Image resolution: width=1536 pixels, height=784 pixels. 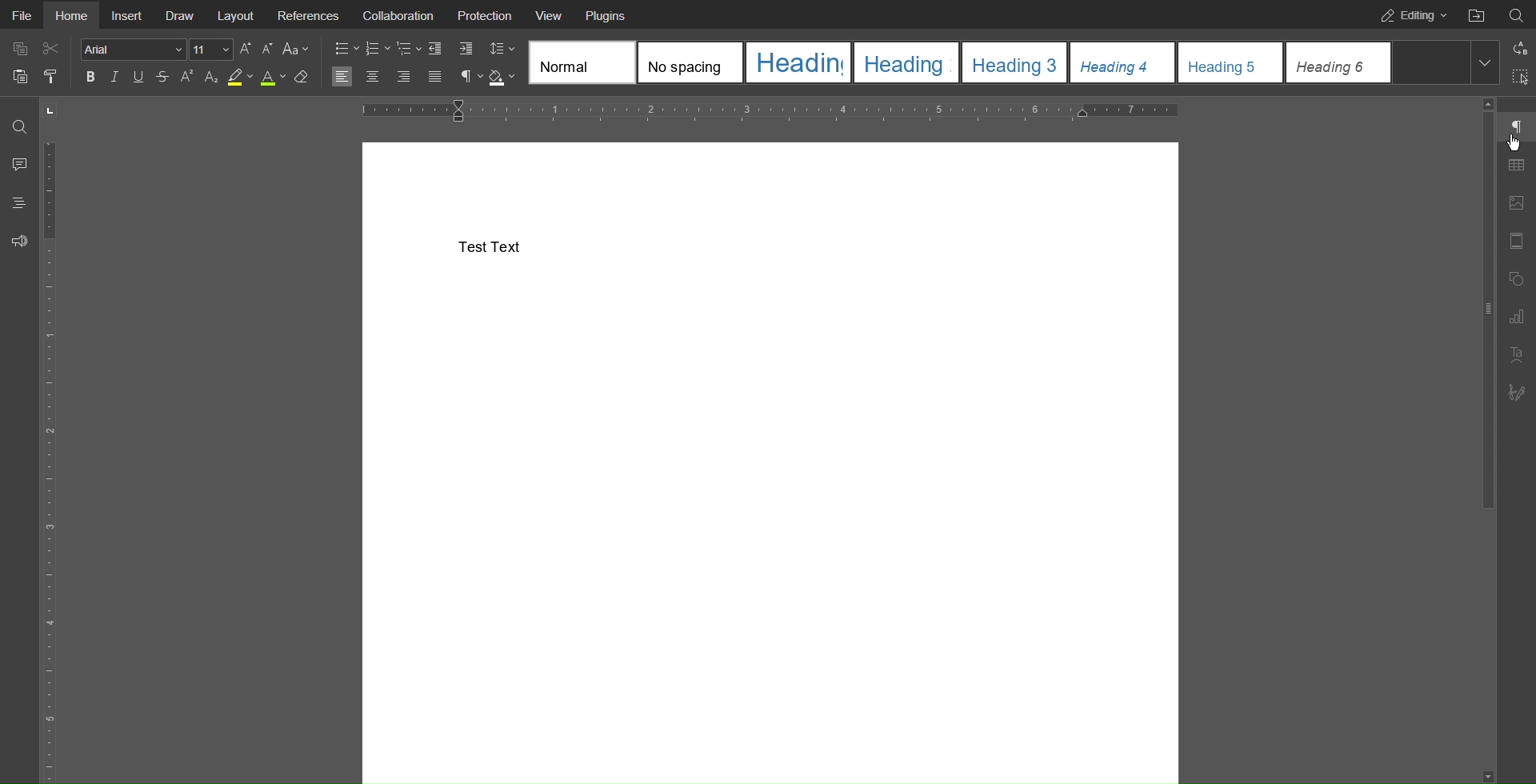 I want to click on Text Cases, so click(x=294, y=49).